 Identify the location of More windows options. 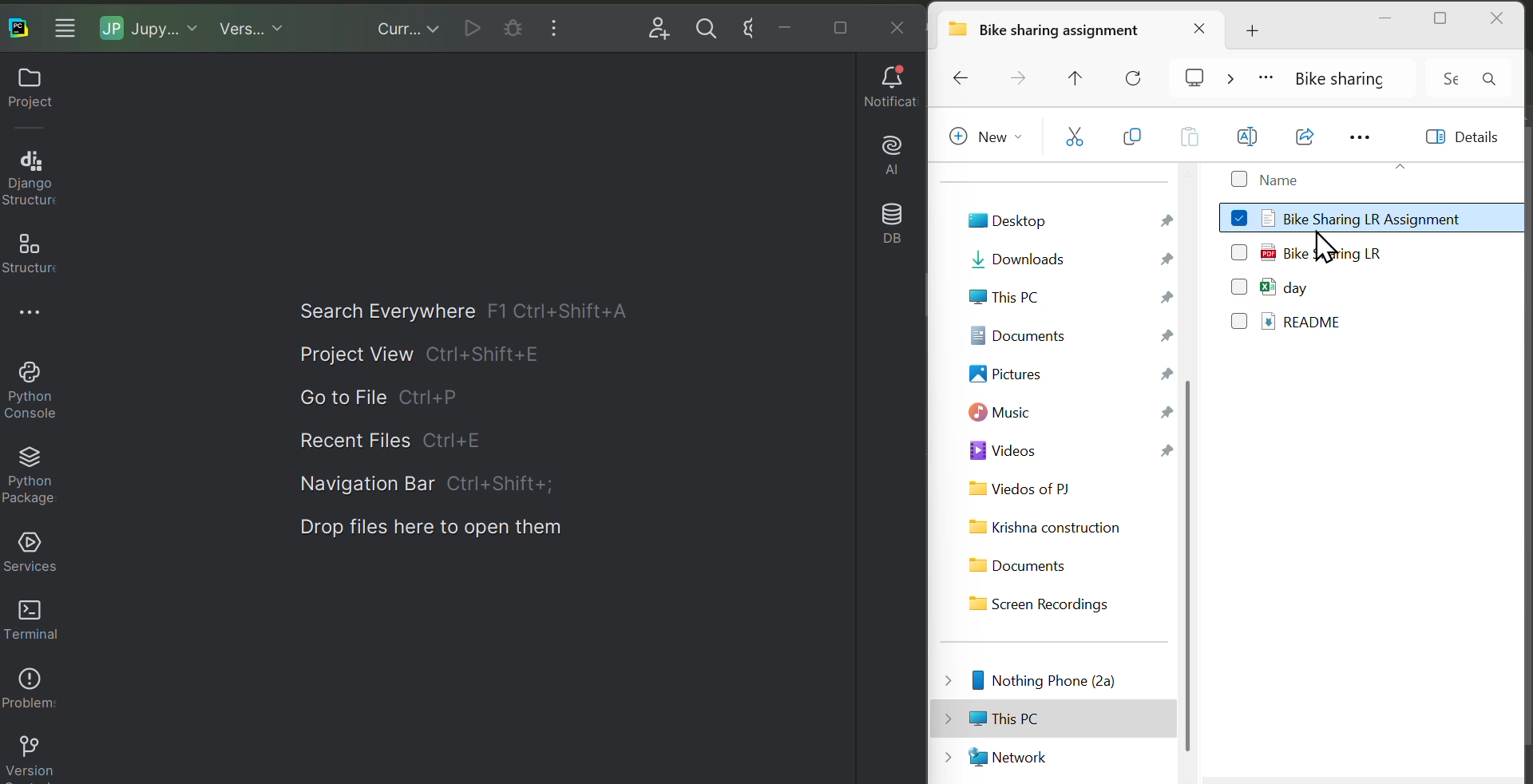
(70, 26).